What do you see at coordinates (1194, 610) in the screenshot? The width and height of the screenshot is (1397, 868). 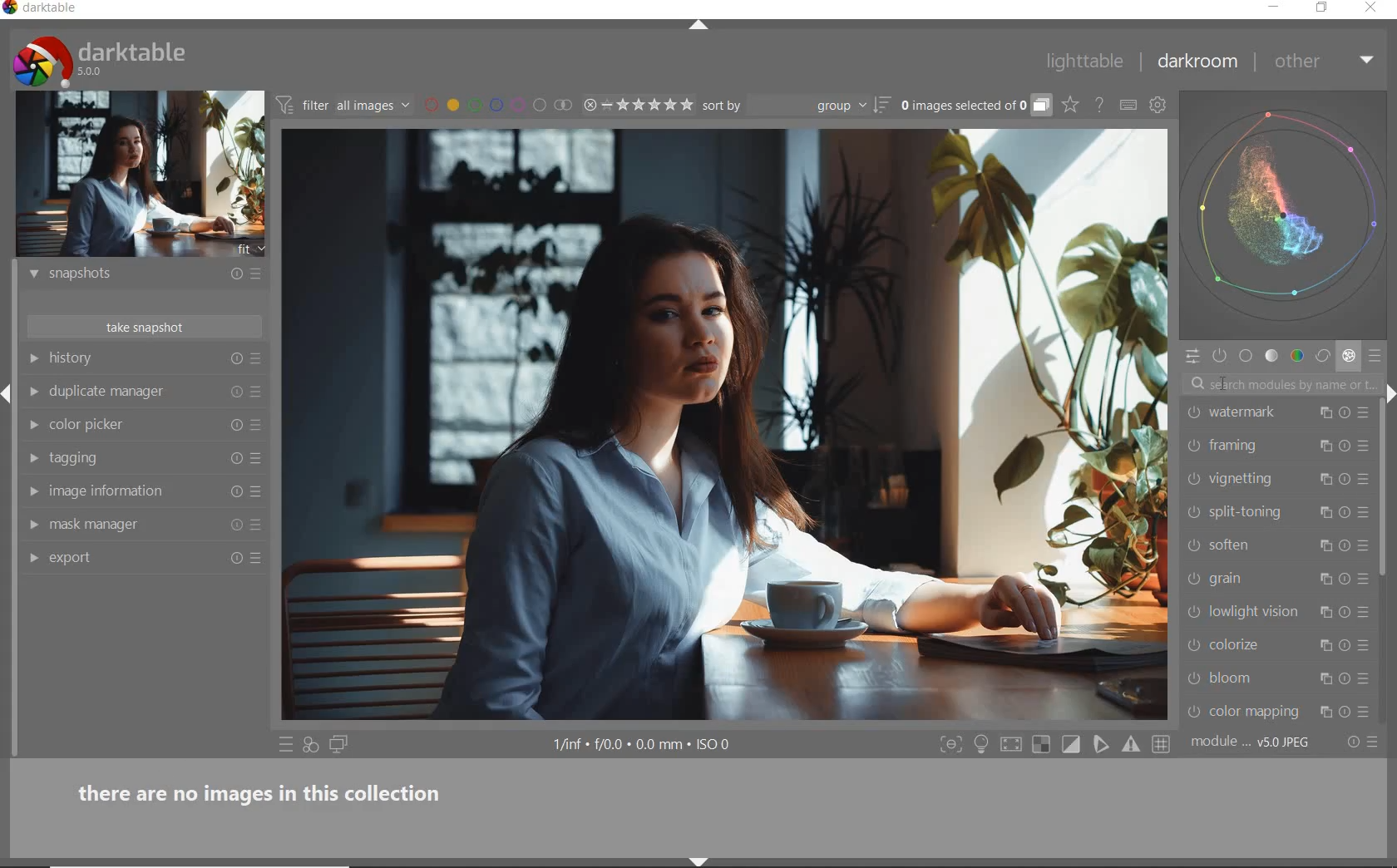 I see `'lowlight vision' is switched off` at bounding box center [1194, 610].